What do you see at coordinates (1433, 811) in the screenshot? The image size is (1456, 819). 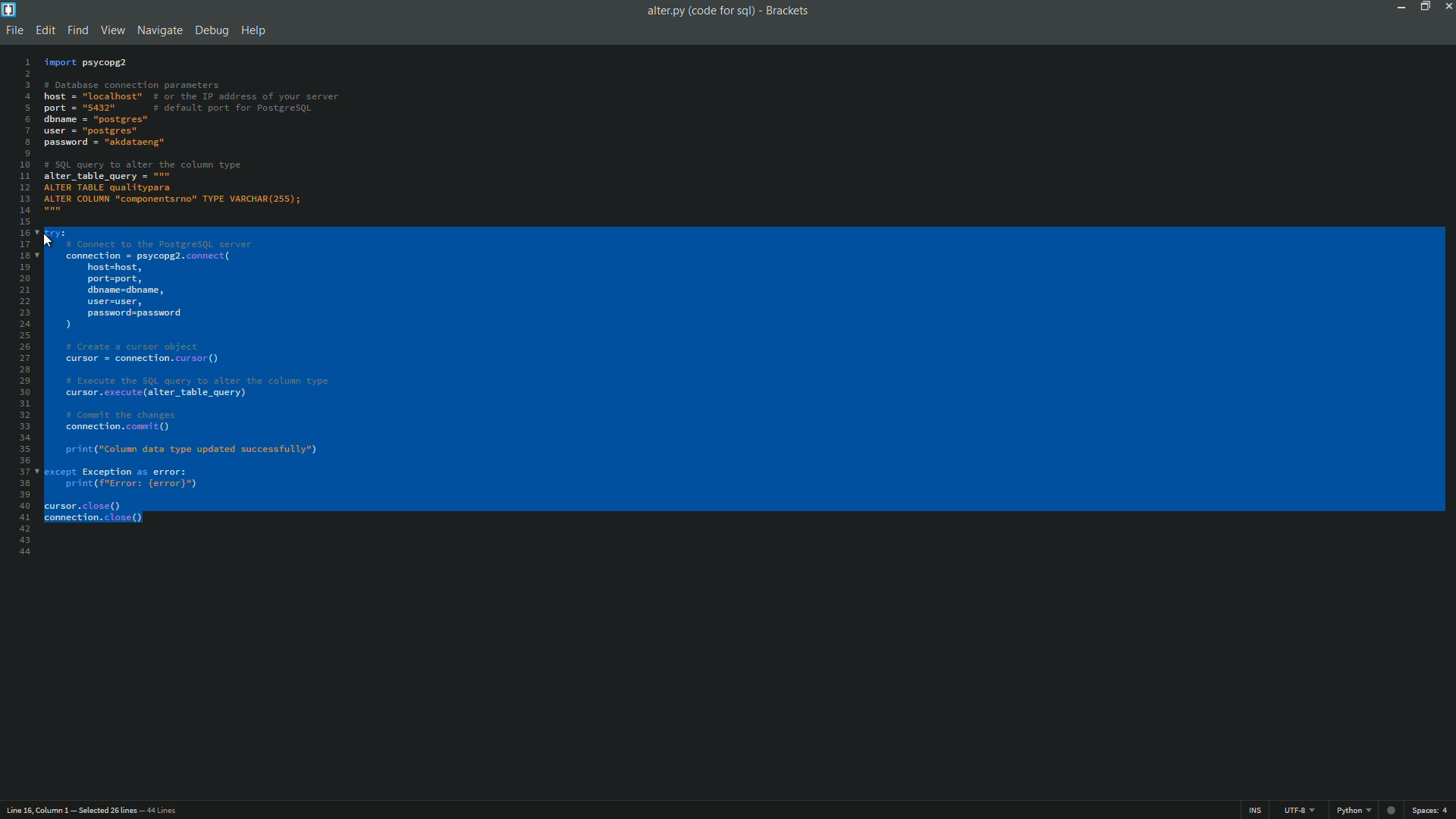 I see `space` at bounding box center [1433, 811].